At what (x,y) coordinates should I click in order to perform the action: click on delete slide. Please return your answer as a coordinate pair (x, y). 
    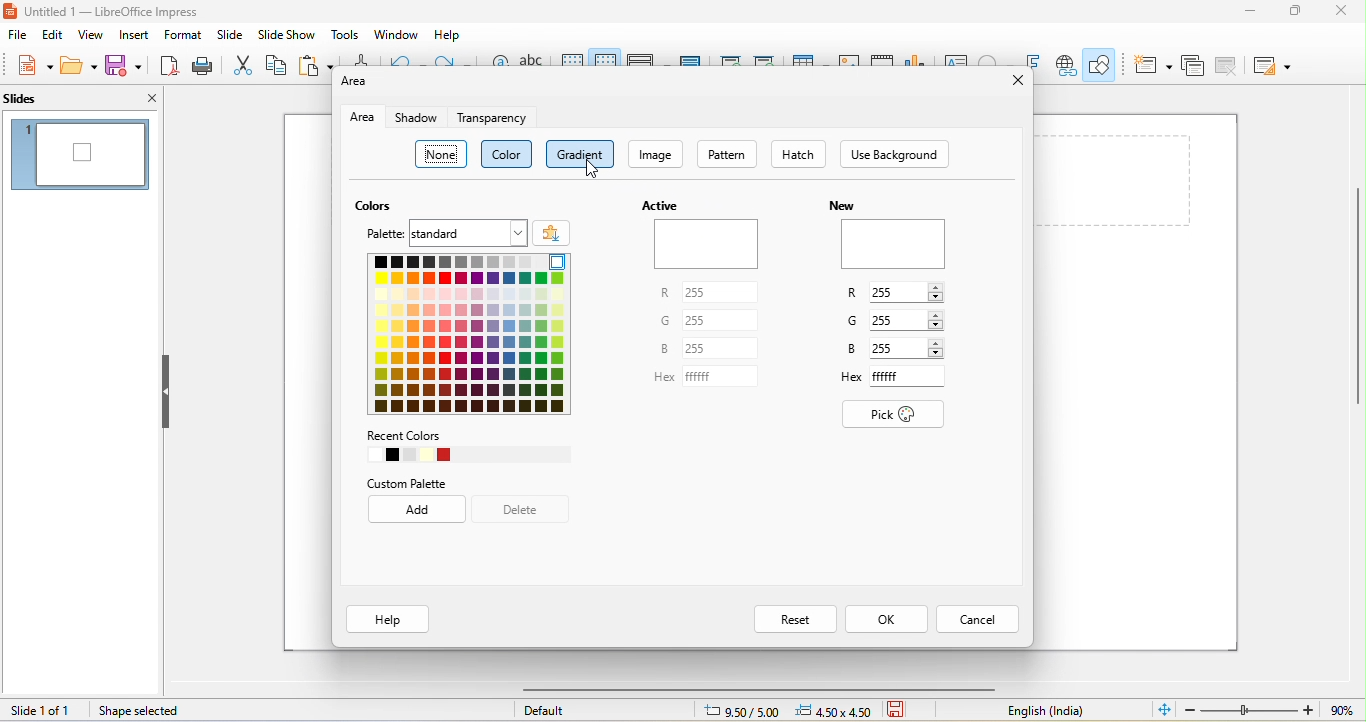
    Looking at the image, I should click on (1226, 65).